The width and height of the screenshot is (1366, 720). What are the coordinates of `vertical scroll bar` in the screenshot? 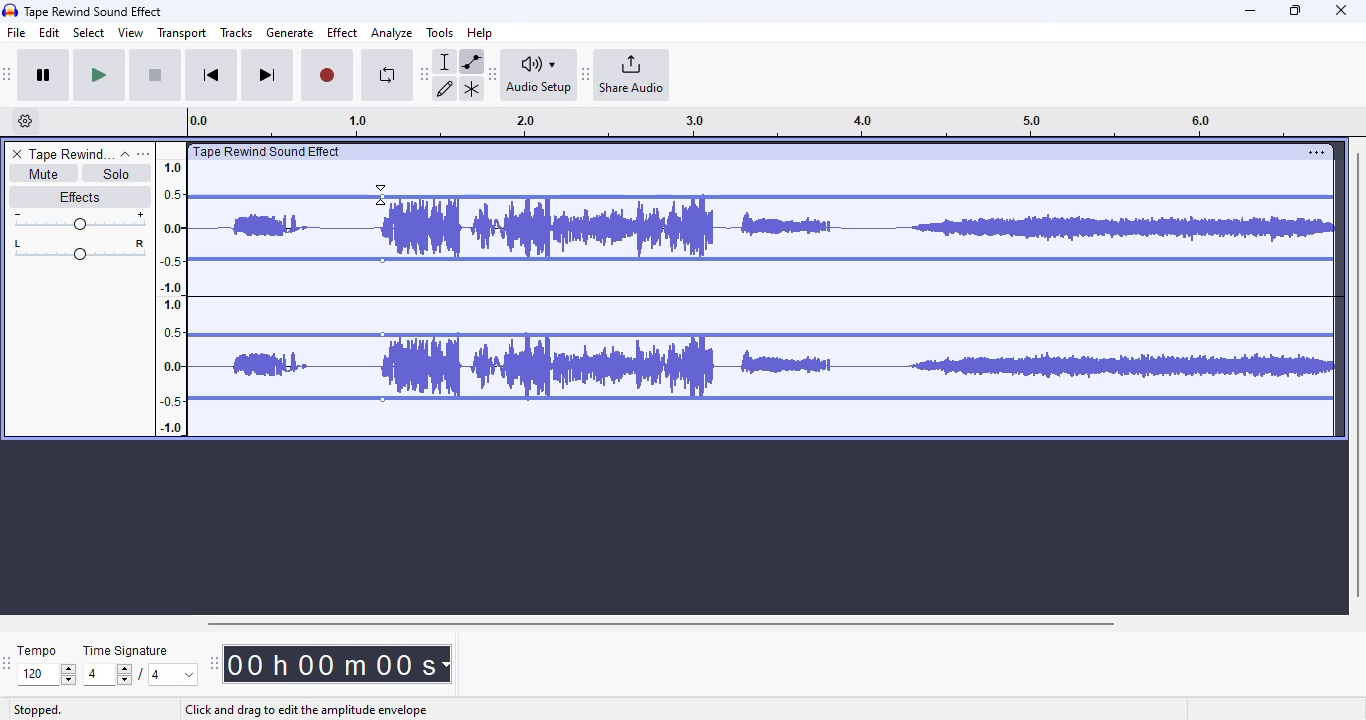 It's located at (1357, 372).